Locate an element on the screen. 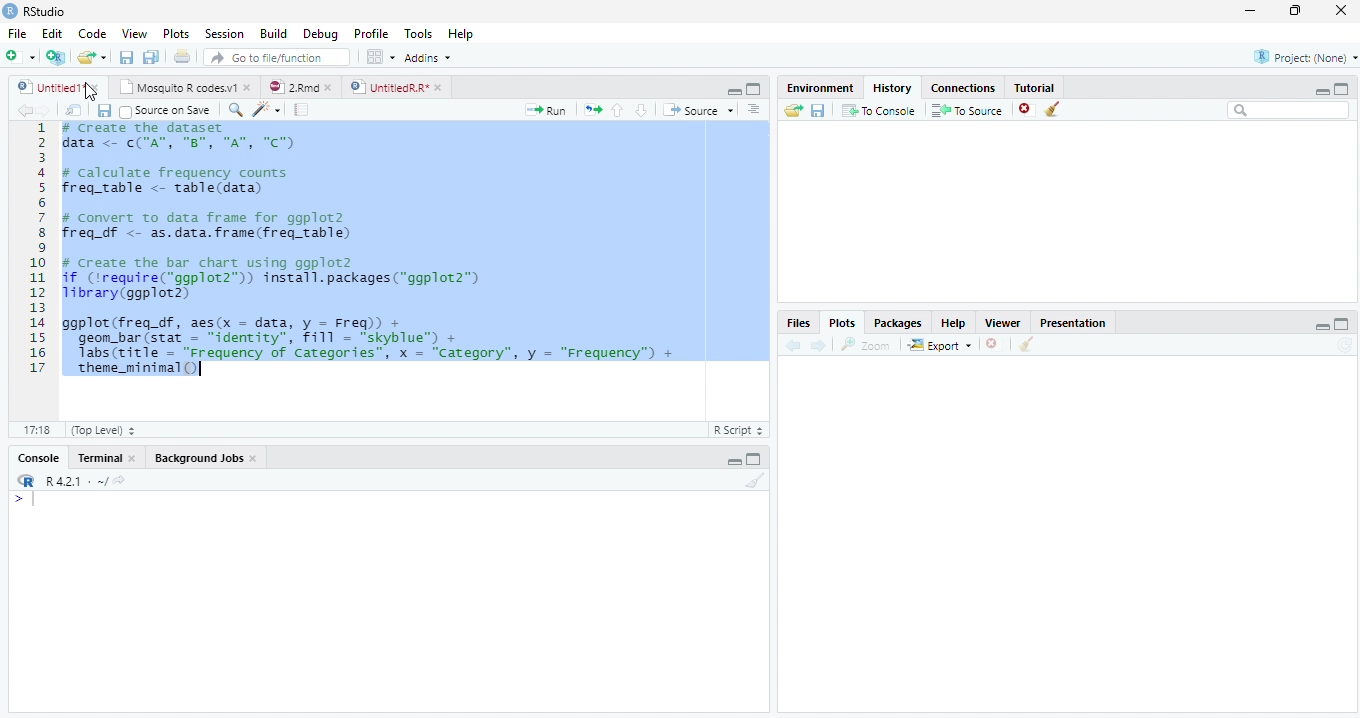 This screenshot has height=718, width=1360. Show in new window is located at coordinates (74, 110).